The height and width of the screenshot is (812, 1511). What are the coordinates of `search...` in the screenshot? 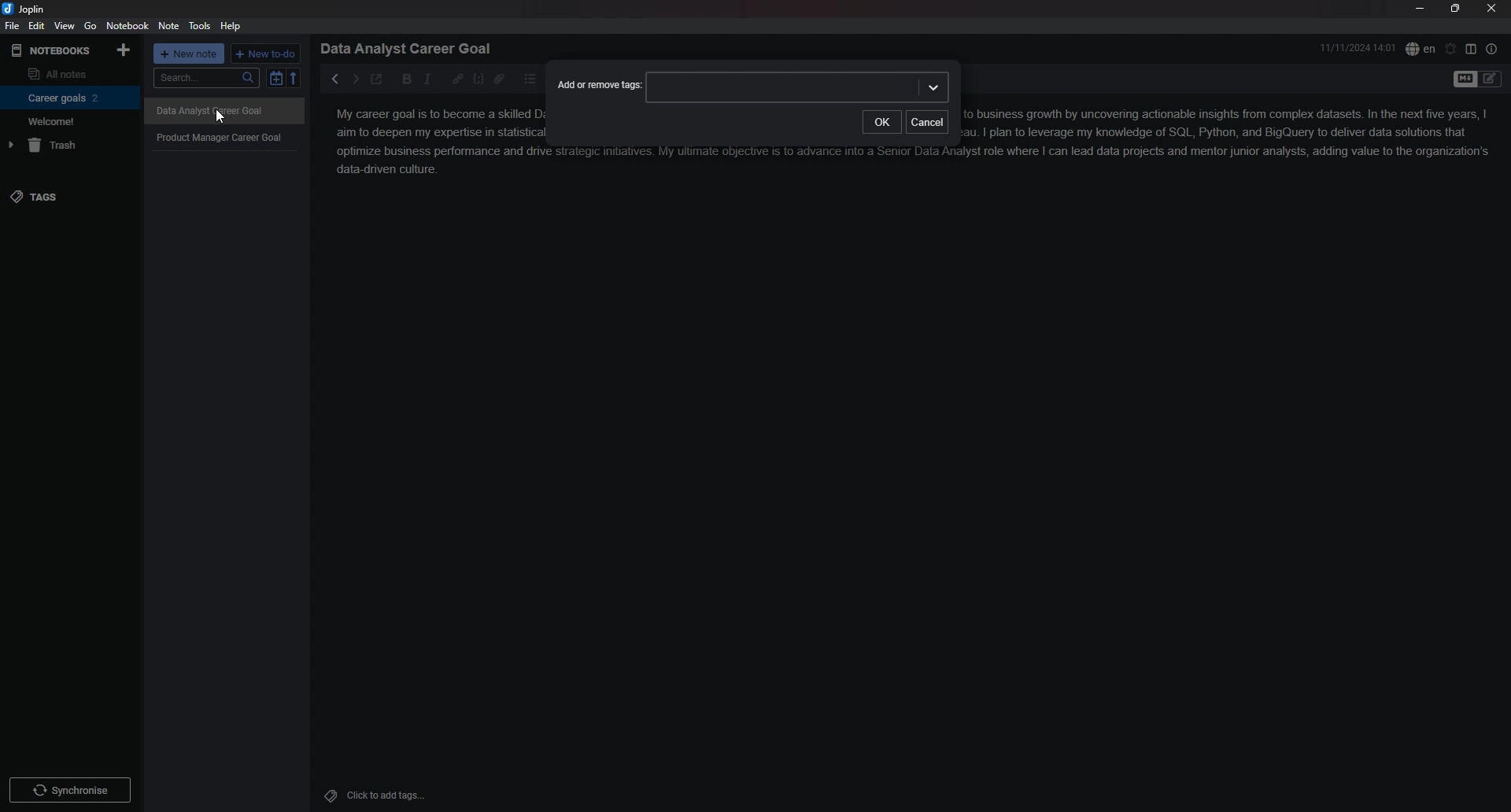 It's located at (205, 78).